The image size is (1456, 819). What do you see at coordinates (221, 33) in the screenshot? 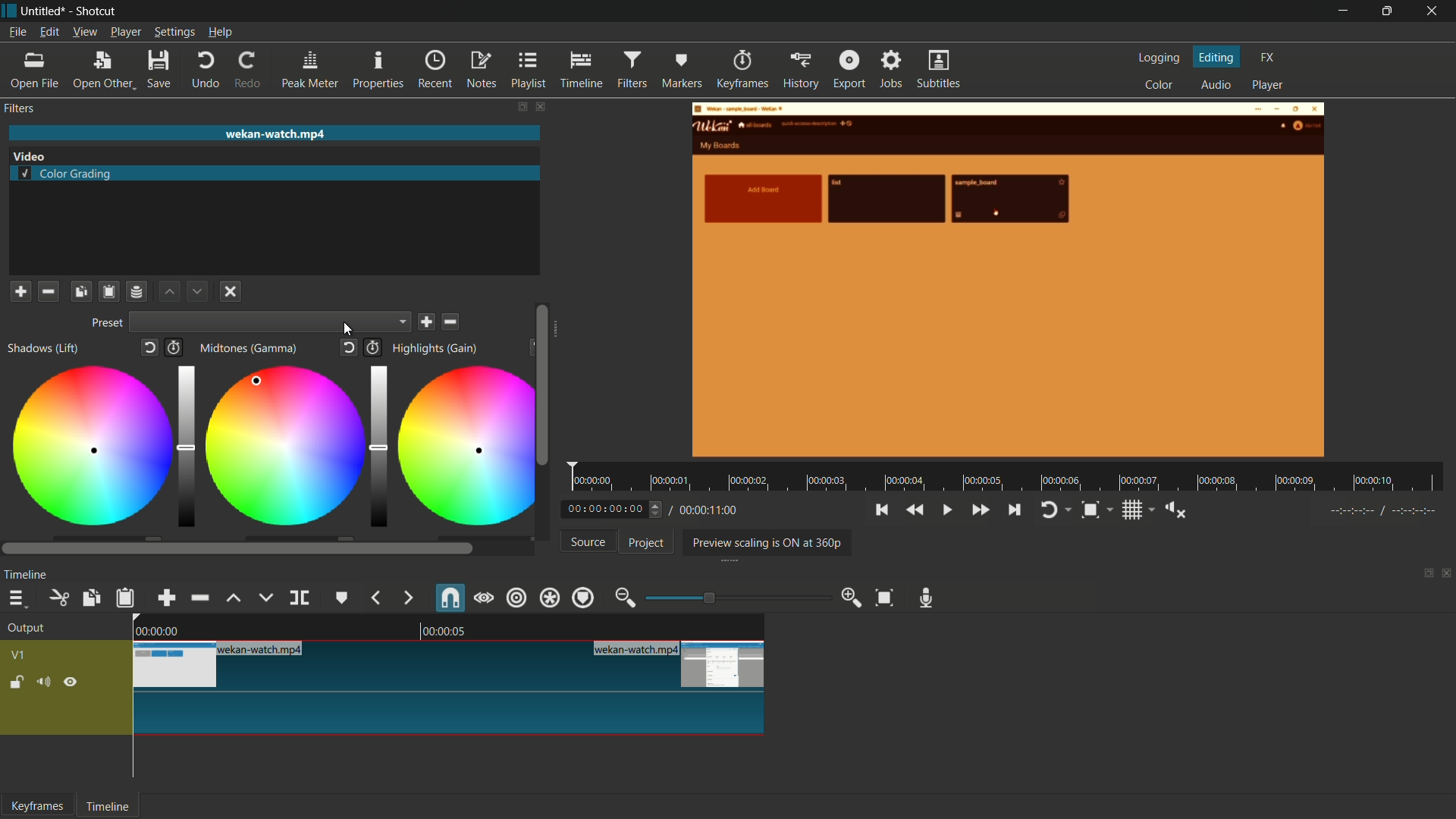
I see `help menu` at bounding box center [221, 33].